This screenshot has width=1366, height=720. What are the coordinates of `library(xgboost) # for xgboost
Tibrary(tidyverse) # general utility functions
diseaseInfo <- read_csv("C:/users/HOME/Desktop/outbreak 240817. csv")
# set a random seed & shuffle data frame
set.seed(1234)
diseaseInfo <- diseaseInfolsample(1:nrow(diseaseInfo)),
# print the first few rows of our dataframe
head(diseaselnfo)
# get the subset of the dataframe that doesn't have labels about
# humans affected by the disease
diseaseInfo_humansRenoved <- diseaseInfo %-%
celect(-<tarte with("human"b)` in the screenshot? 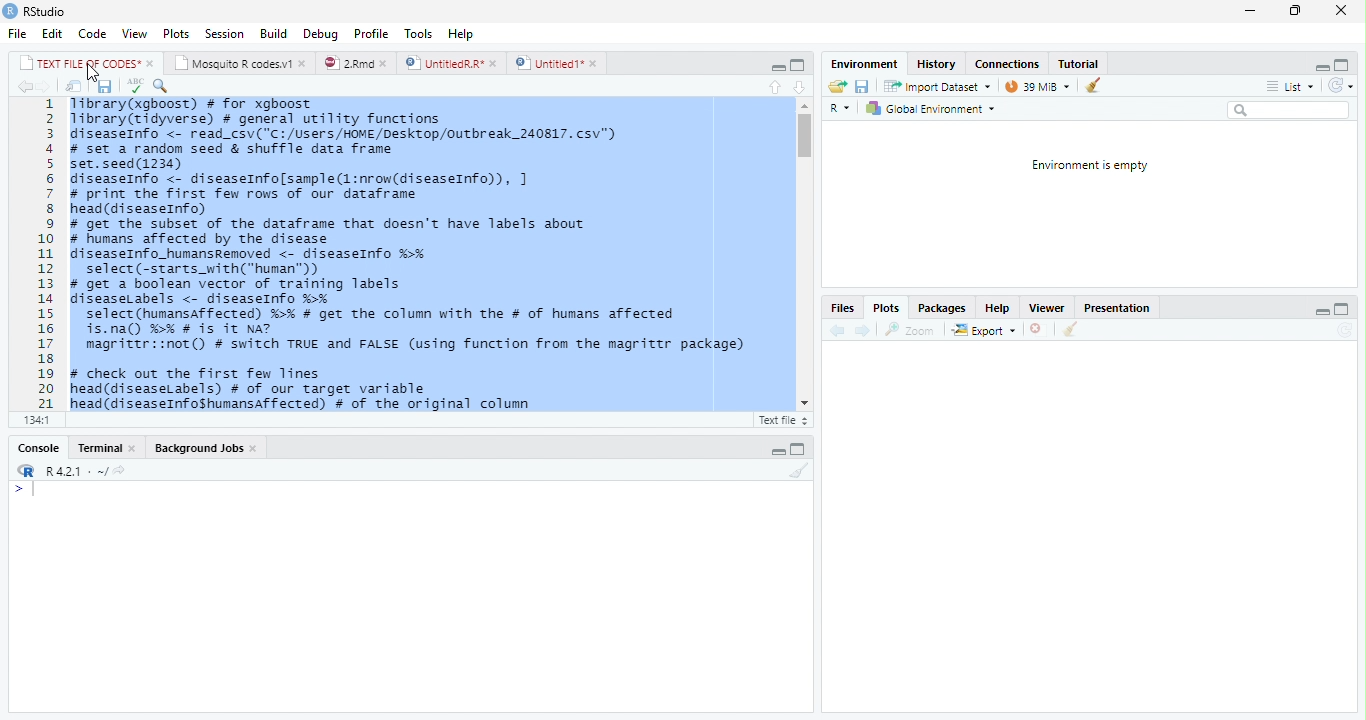 It's located at (354, 186).